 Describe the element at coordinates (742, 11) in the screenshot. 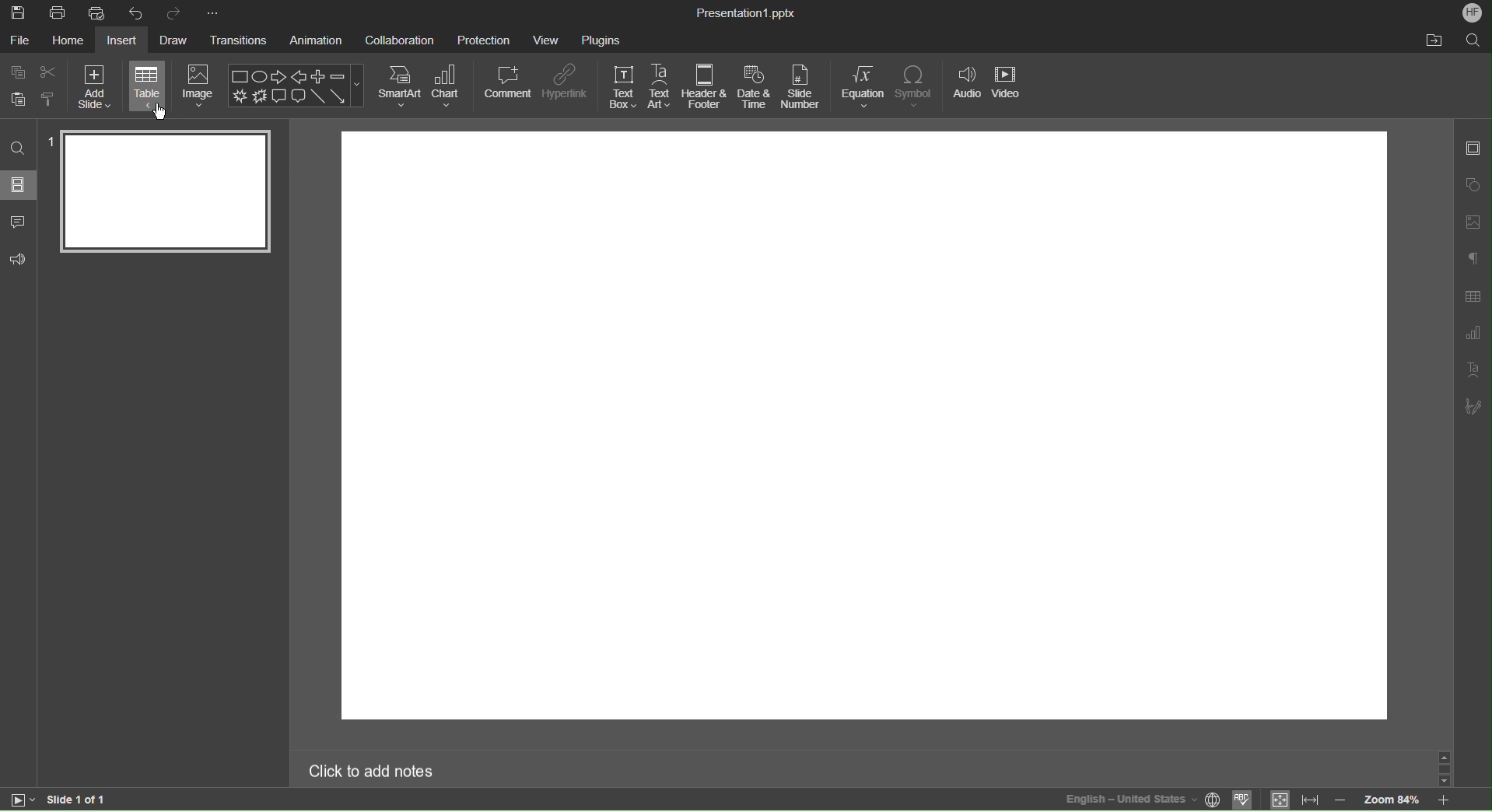

I see `Presentation1` at that location.